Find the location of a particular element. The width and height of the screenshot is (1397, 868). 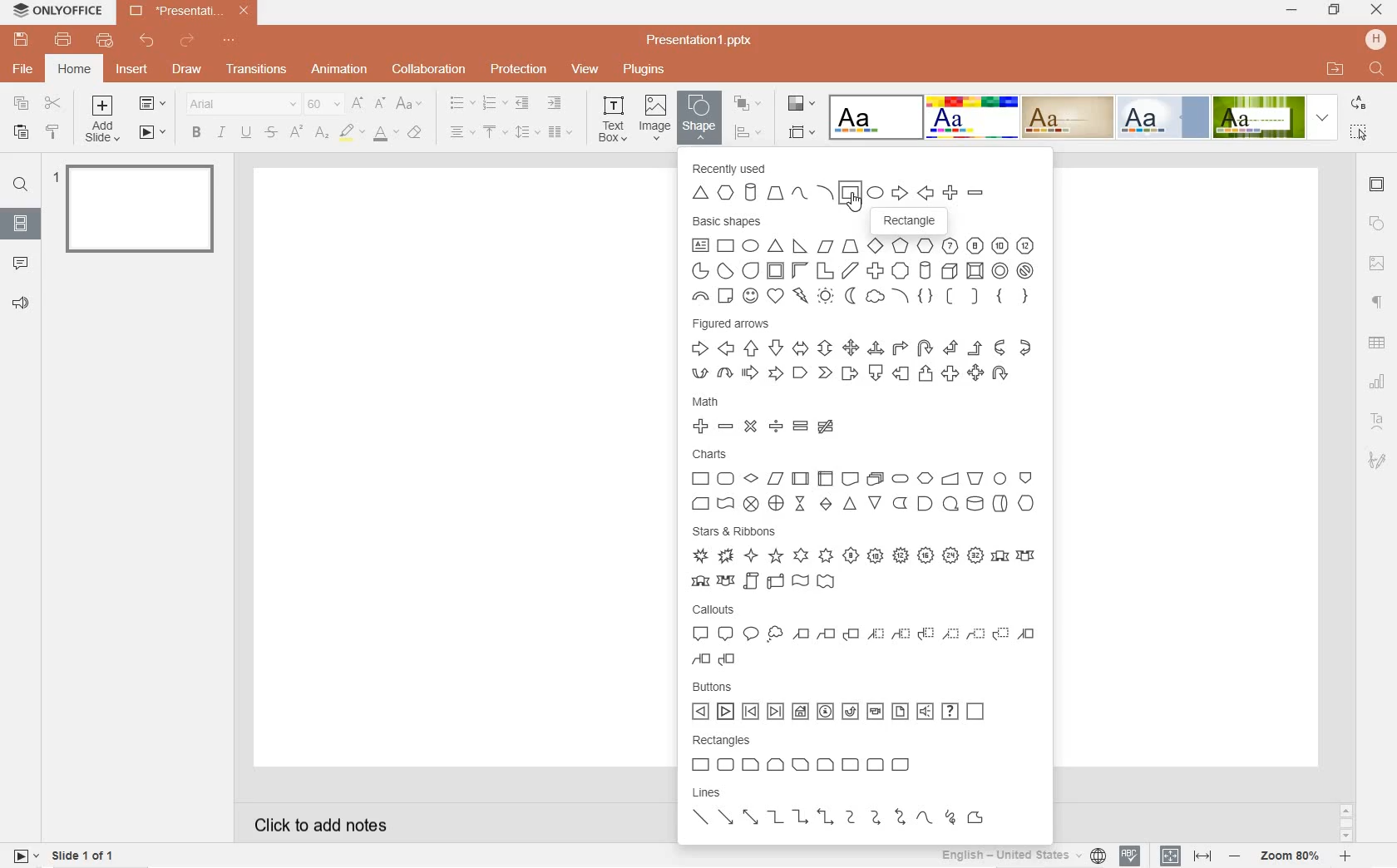

Multidocument is located at coordinates (875, 479).